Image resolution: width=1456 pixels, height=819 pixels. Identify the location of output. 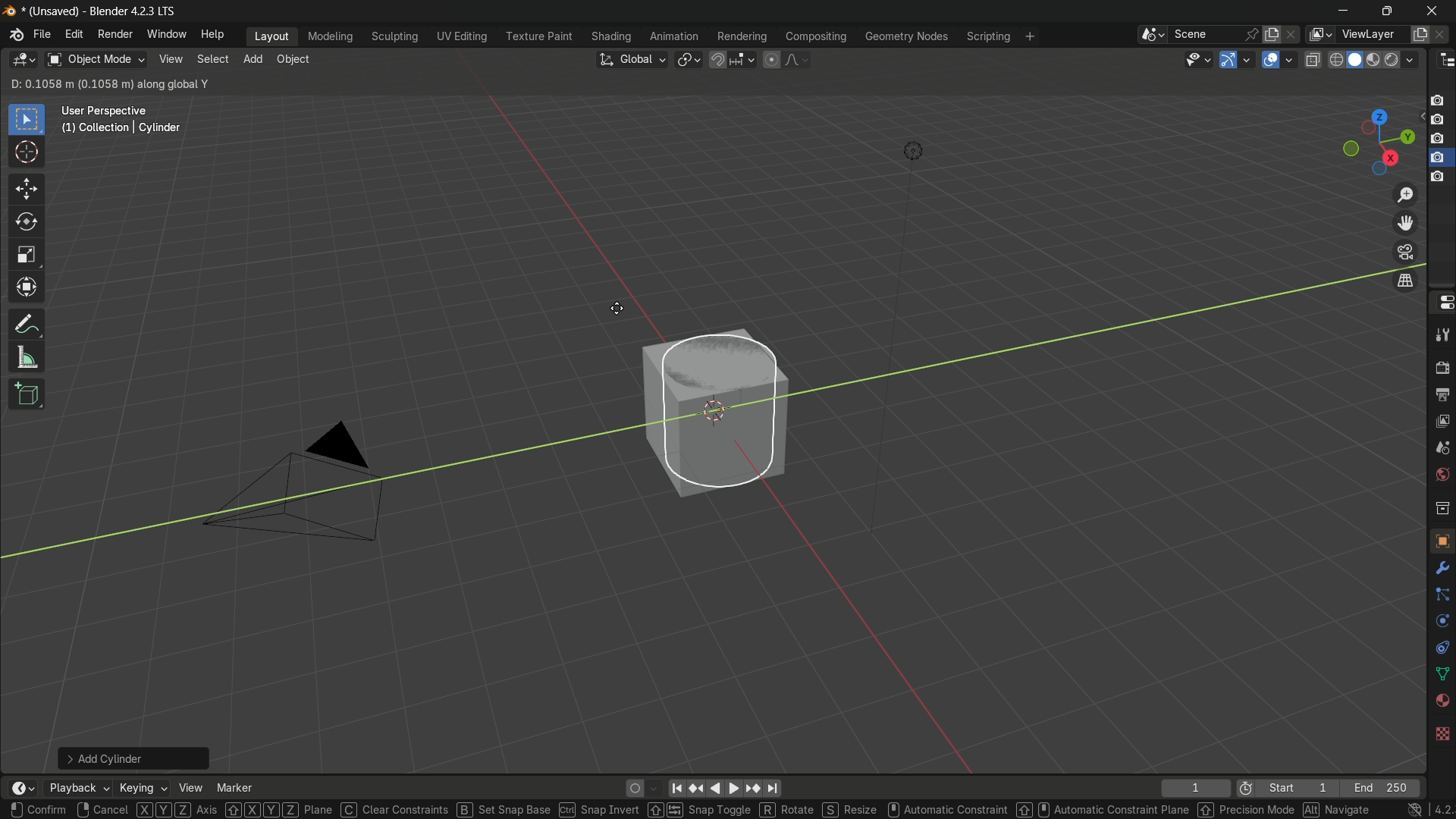
(1442, 396).